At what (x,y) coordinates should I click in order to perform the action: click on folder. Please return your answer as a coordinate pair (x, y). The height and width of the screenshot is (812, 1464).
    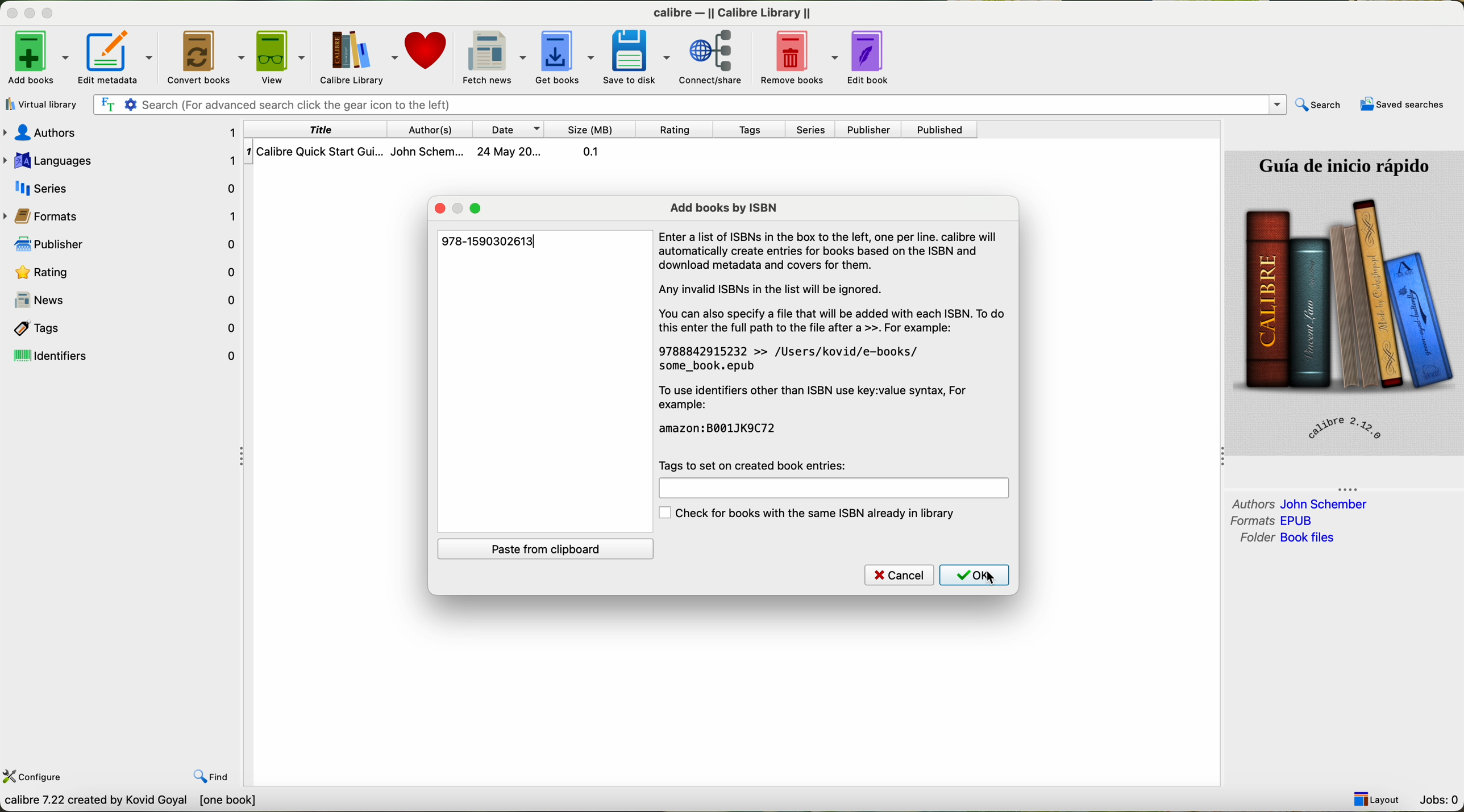
    Looking at the image, I should click on (1286, 539).